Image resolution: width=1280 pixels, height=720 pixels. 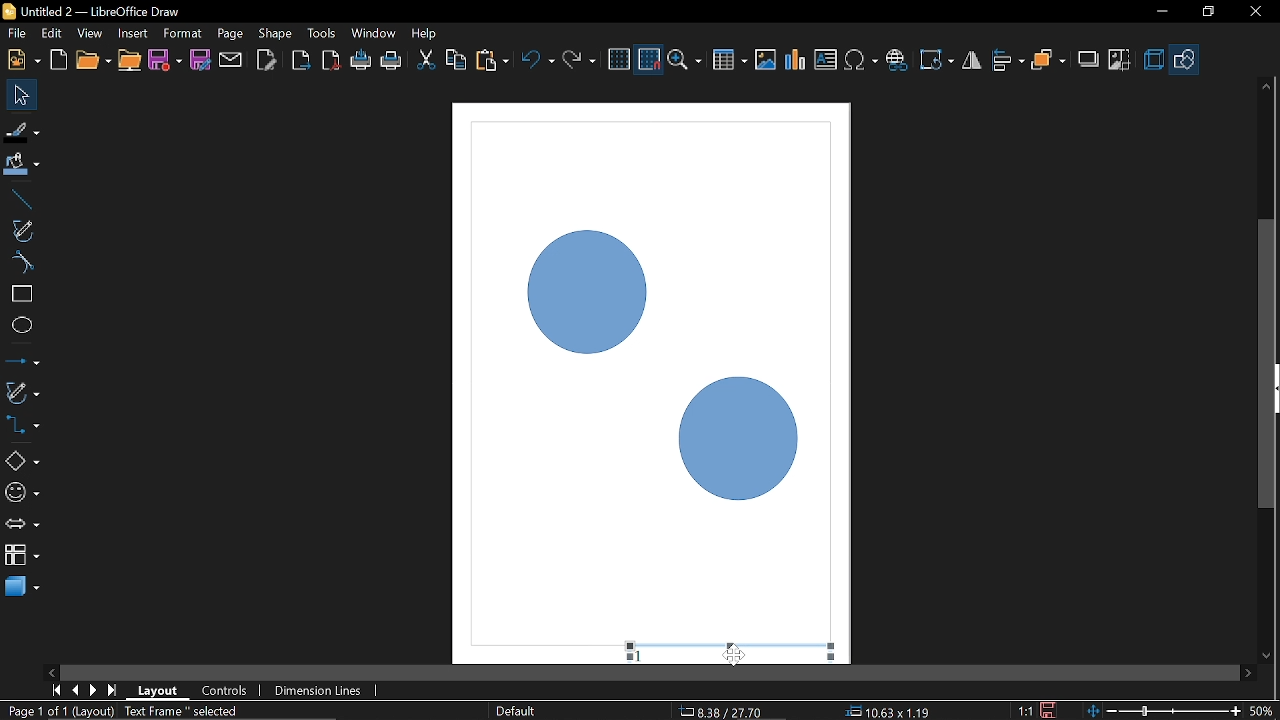 What do you see at coordinates (23, 95) in the screenshot?
I see `Select` at bounding box center [23, 95].